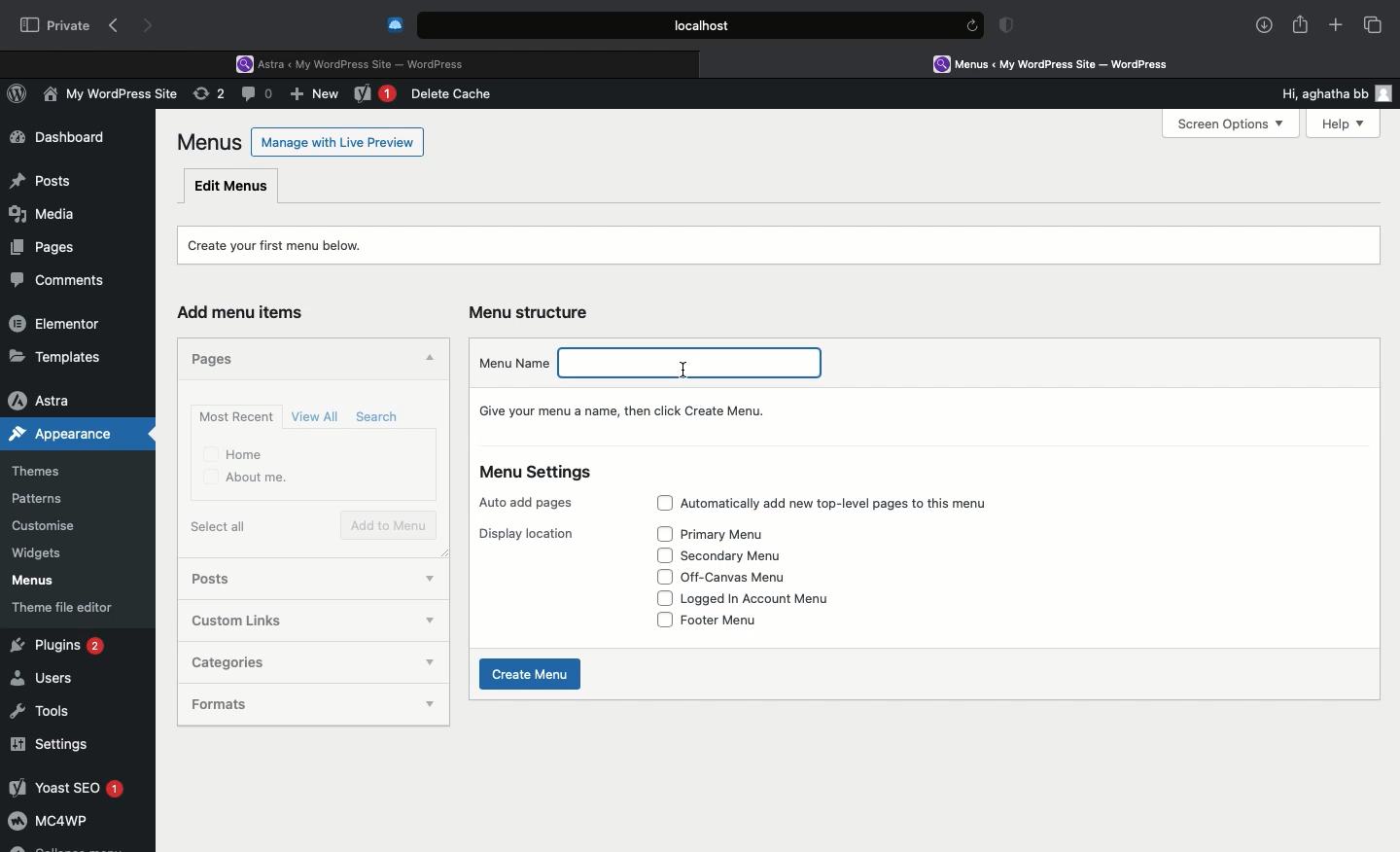  What do you see at coordinates (773, 599) in the screenshot?
I see `Logged in account menu` at bounding box center [773, 599].